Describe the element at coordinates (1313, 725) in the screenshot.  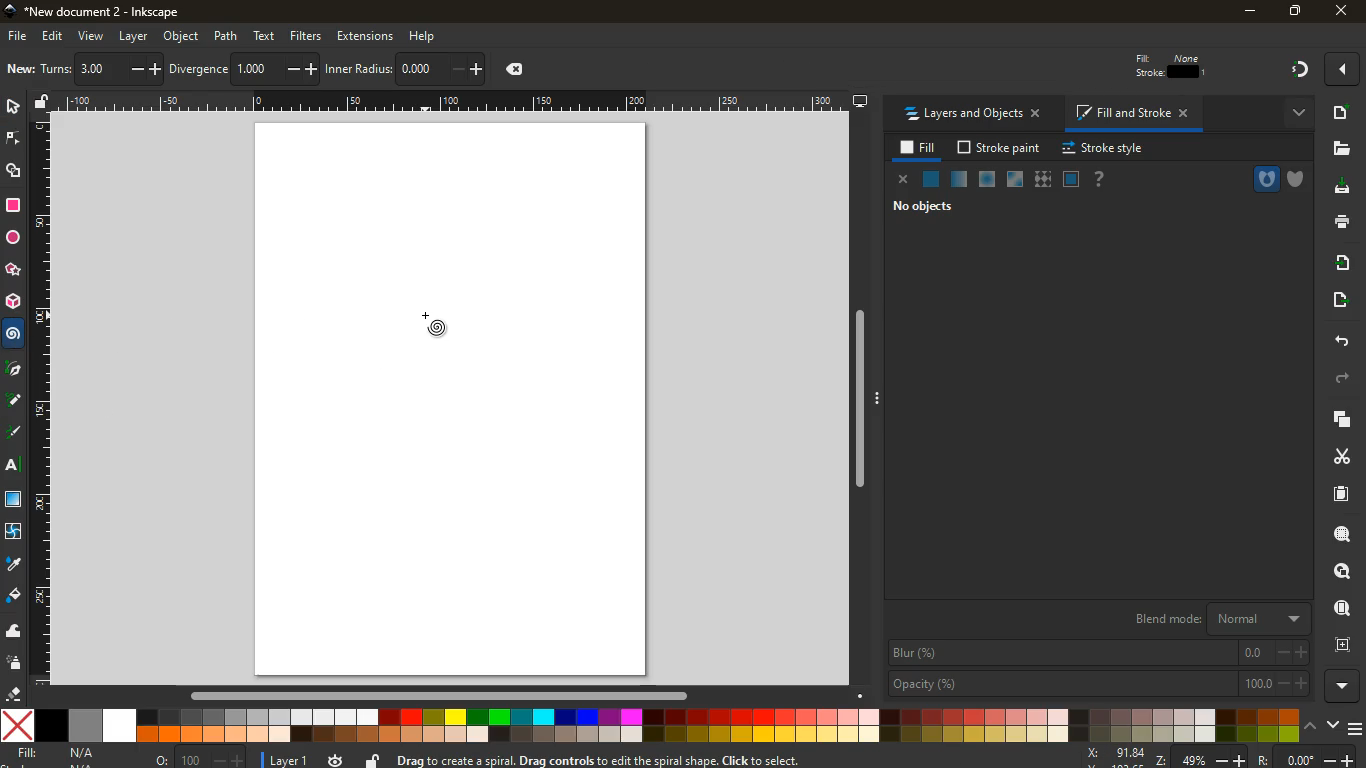
I see `up` at that location.